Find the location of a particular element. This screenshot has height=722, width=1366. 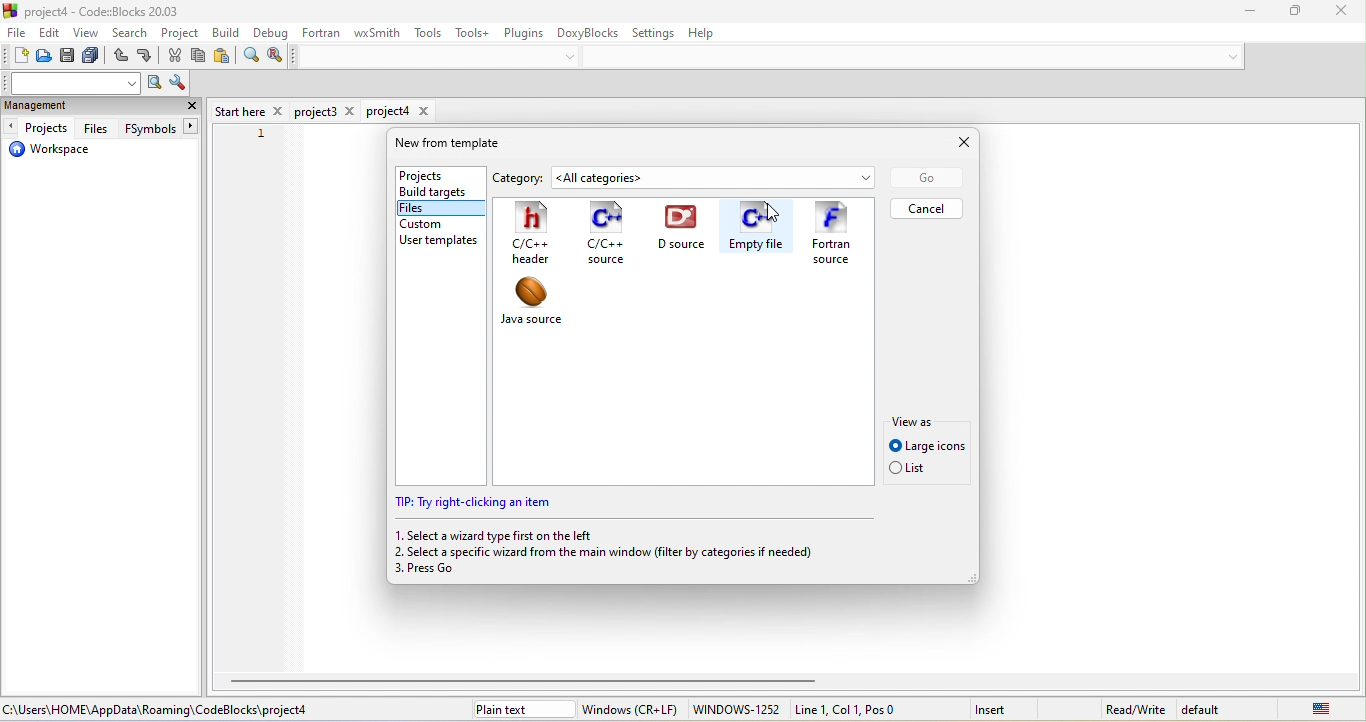

cancel is located at coordinates (928, 208).